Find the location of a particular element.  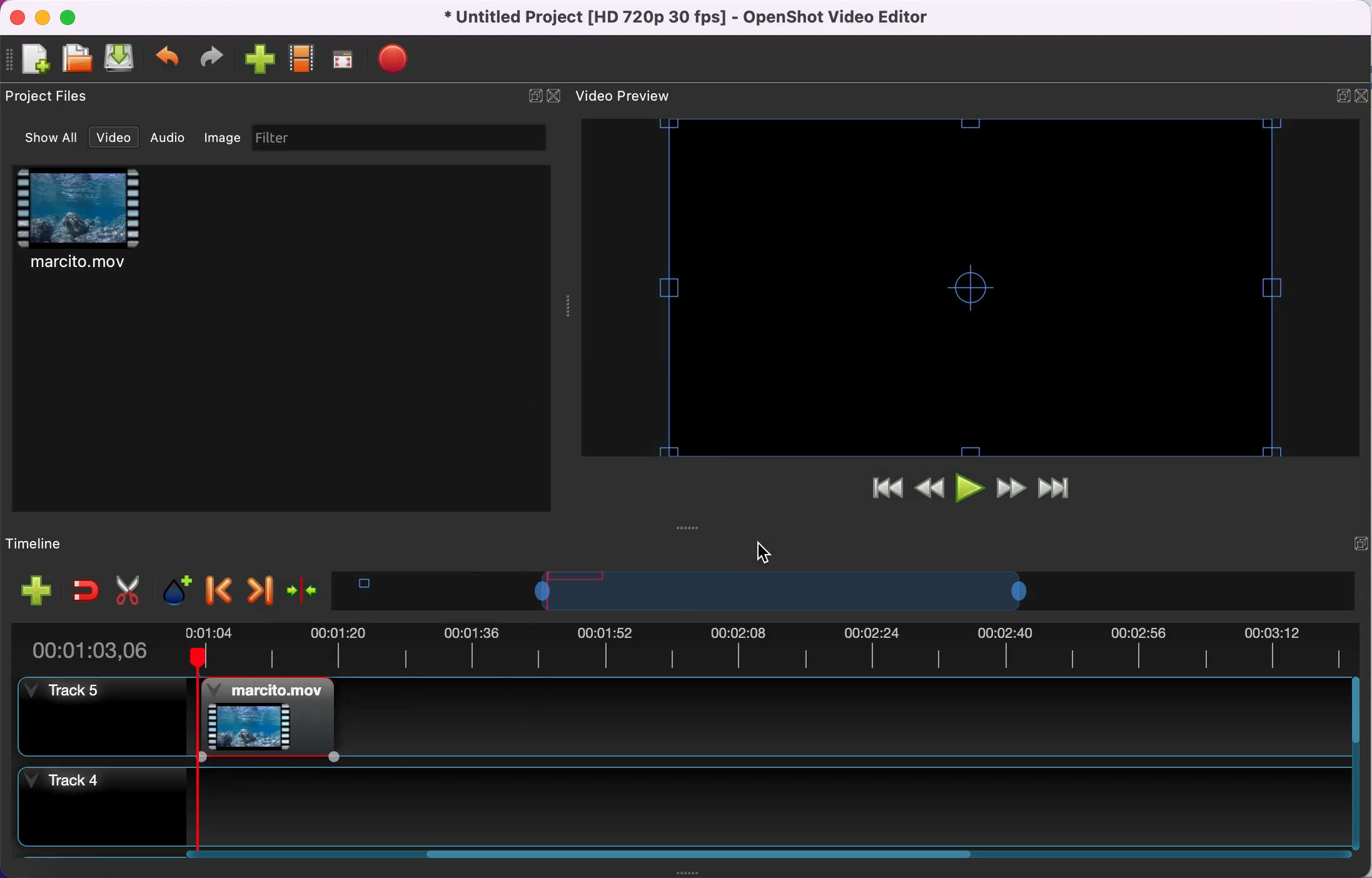

full screen is located at coordinates (344, 59).